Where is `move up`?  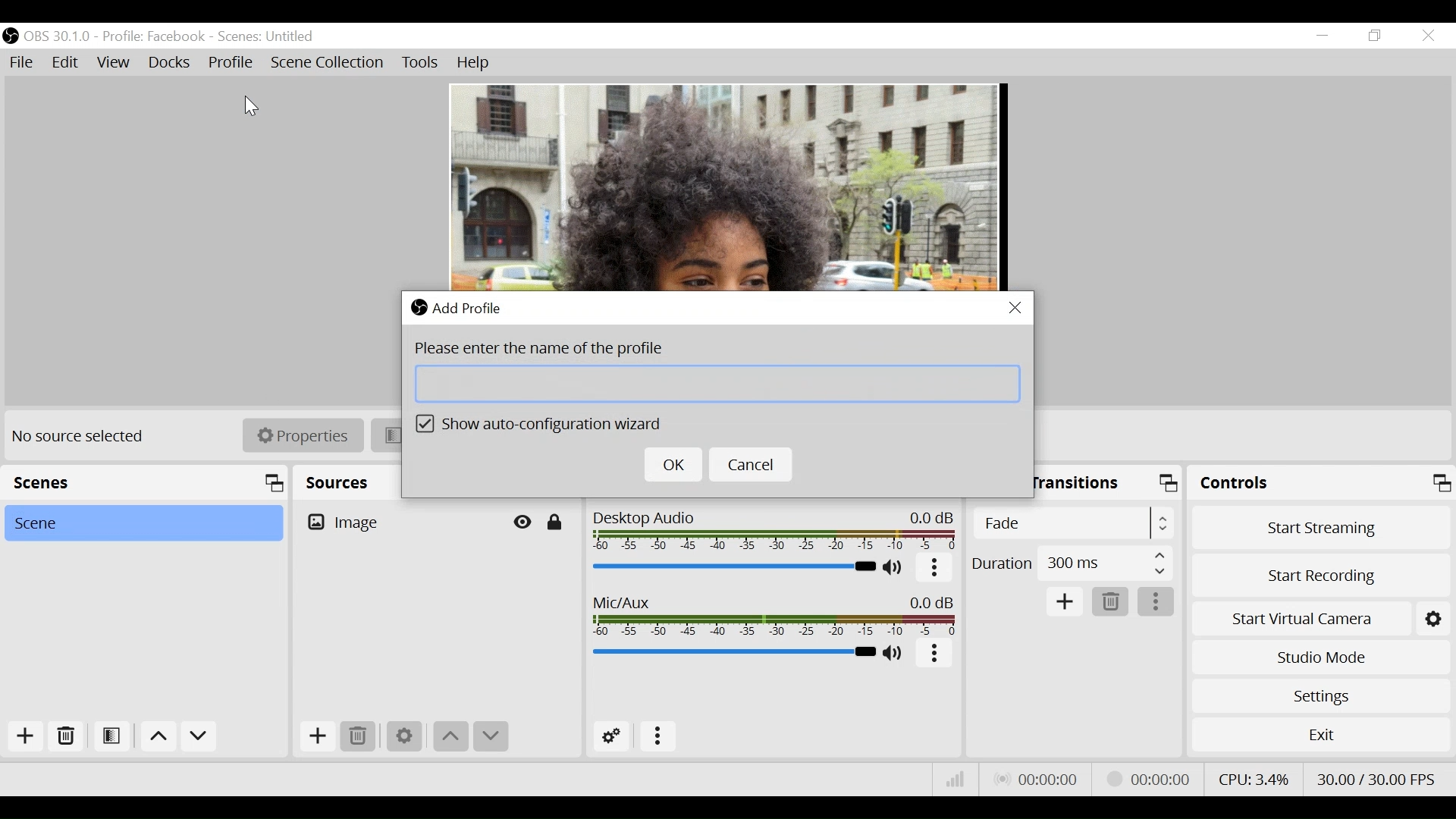
move up is located at coordinates (158, 737).